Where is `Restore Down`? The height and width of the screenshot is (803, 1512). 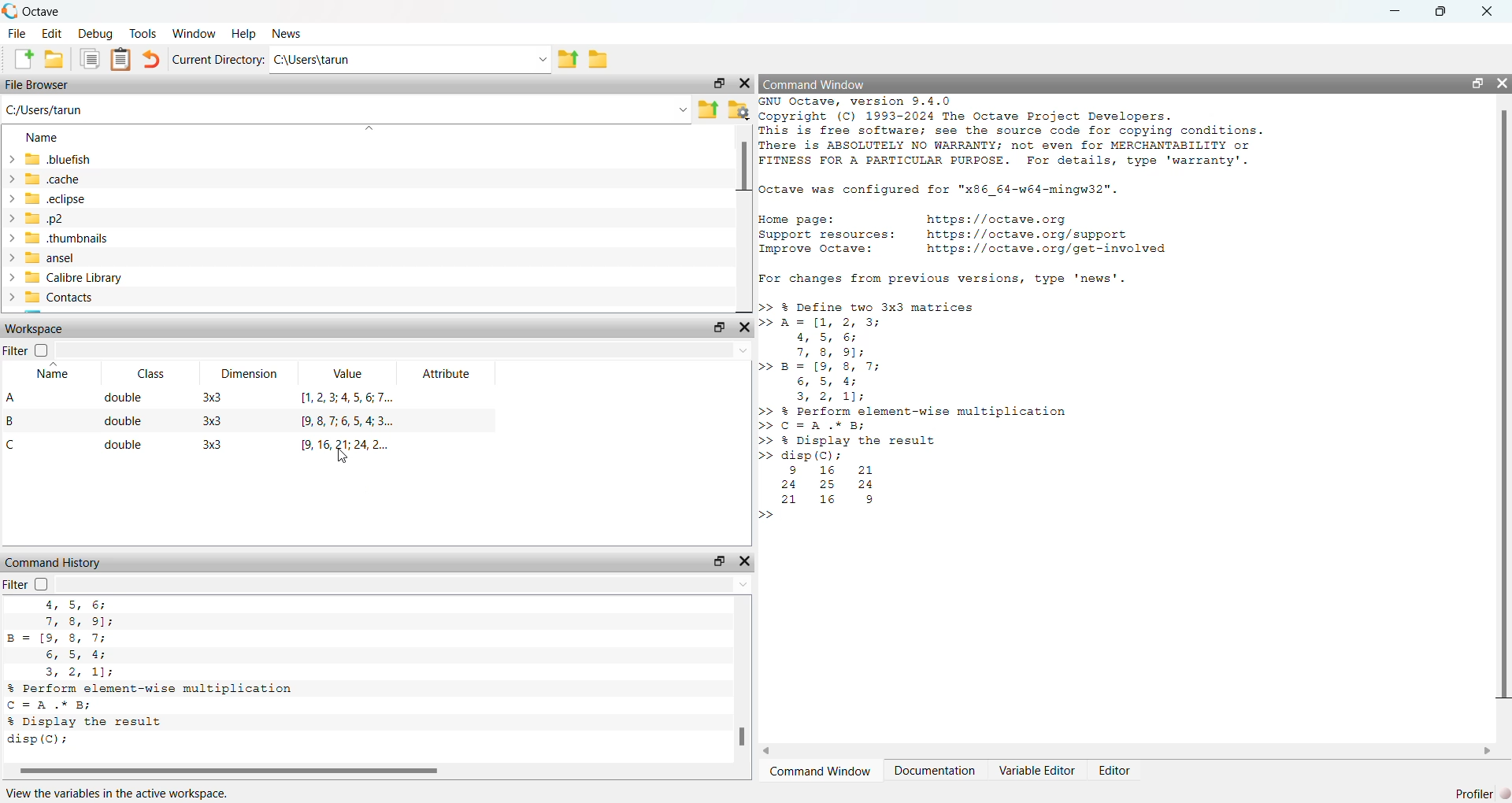 Restore Down is located at coordinates (1478, 83).